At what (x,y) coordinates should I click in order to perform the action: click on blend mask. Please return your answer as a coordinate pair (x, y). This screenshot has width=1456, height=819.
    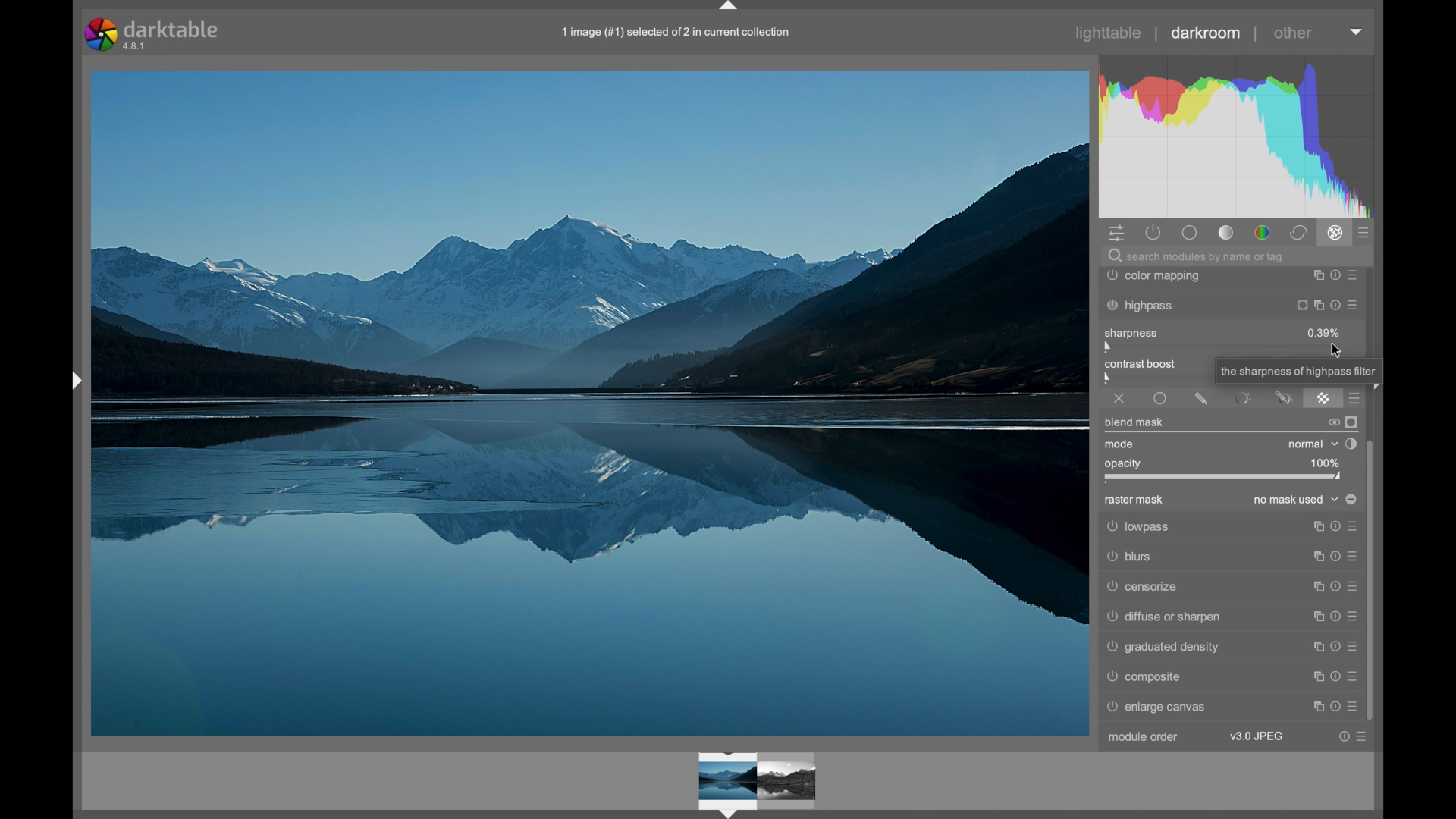
    Looking at the image, I should click on (1133, 422).